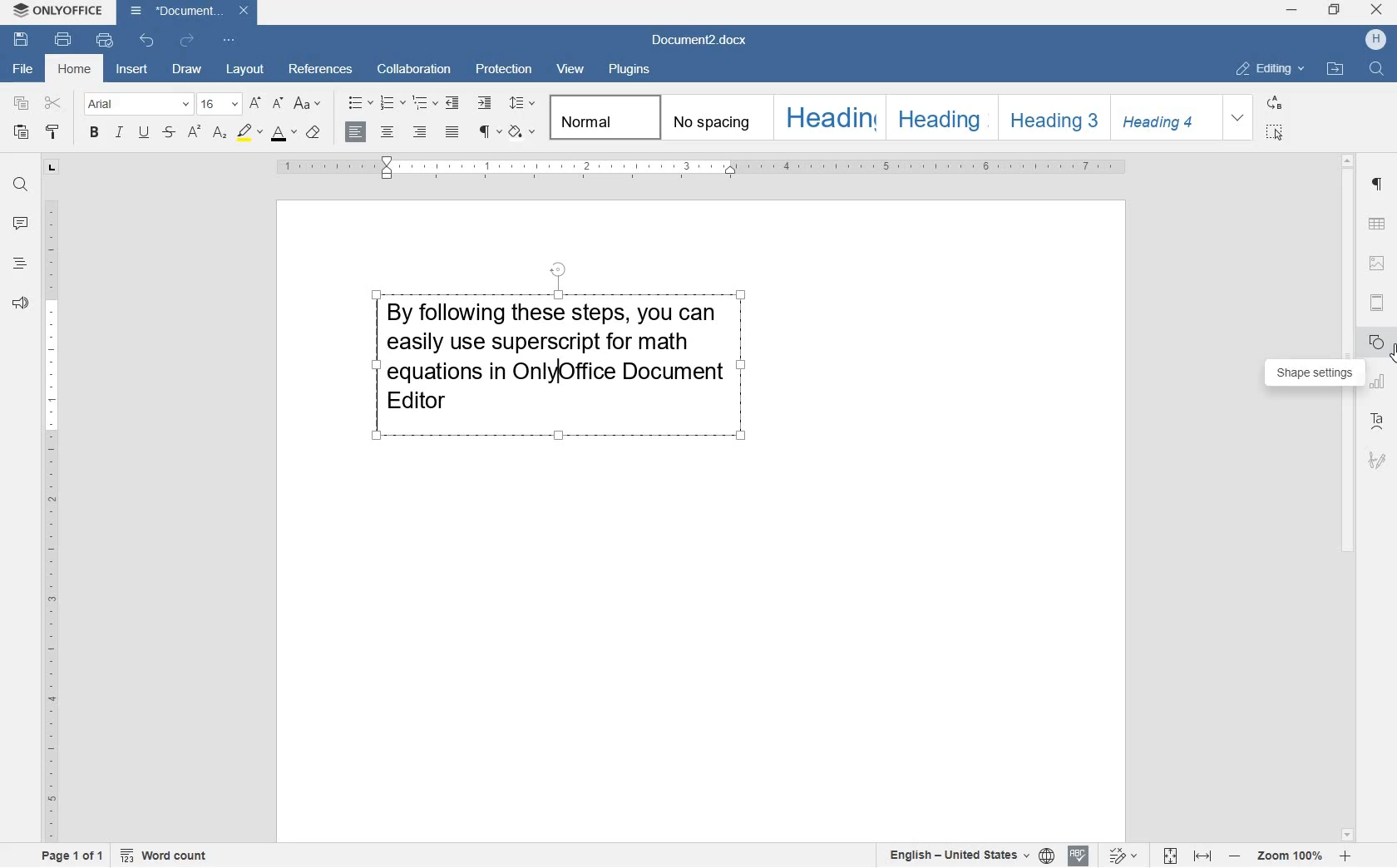  What do you see at coordinates (1274, 132) in the screenshot?
I see `SELECT ALL` at bounding box center [1274, 132].